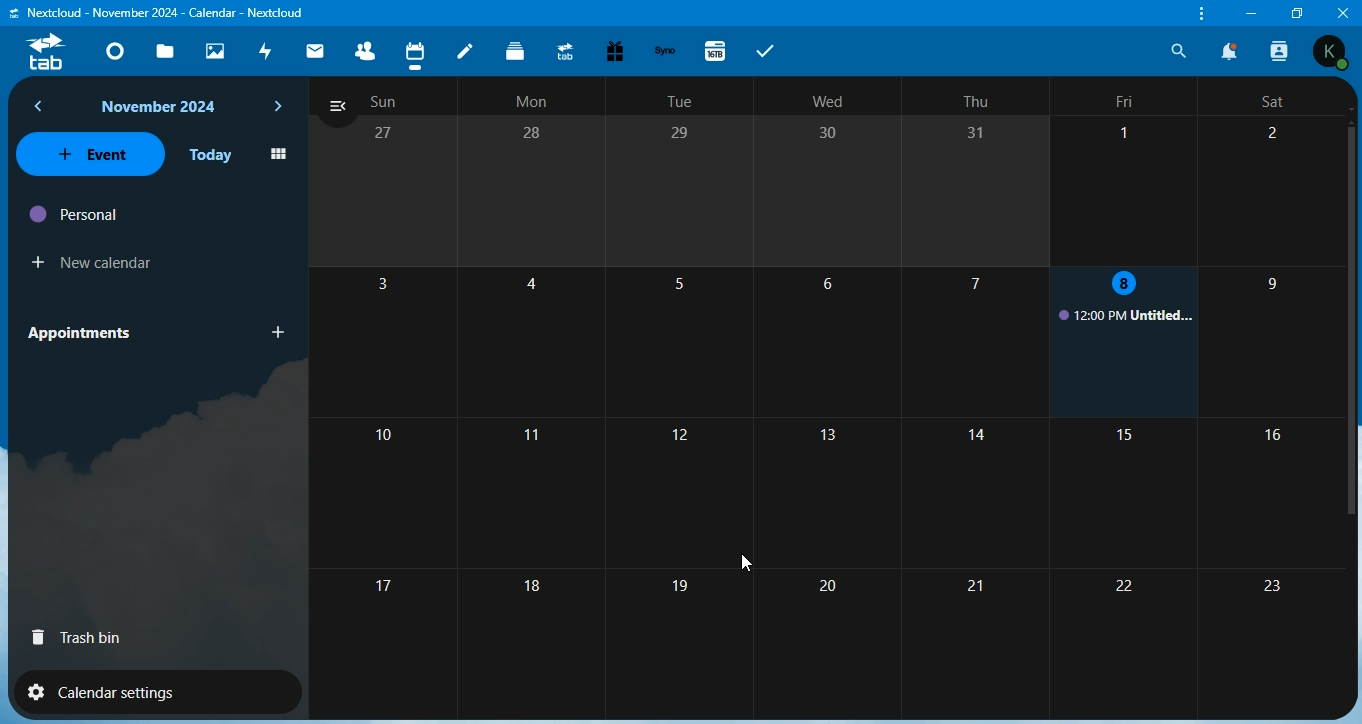 The image size is (1362, 724). What do you see at coordinates (55, 52) in the screenshot?
I see `tab` at bounding box center [55, 52].